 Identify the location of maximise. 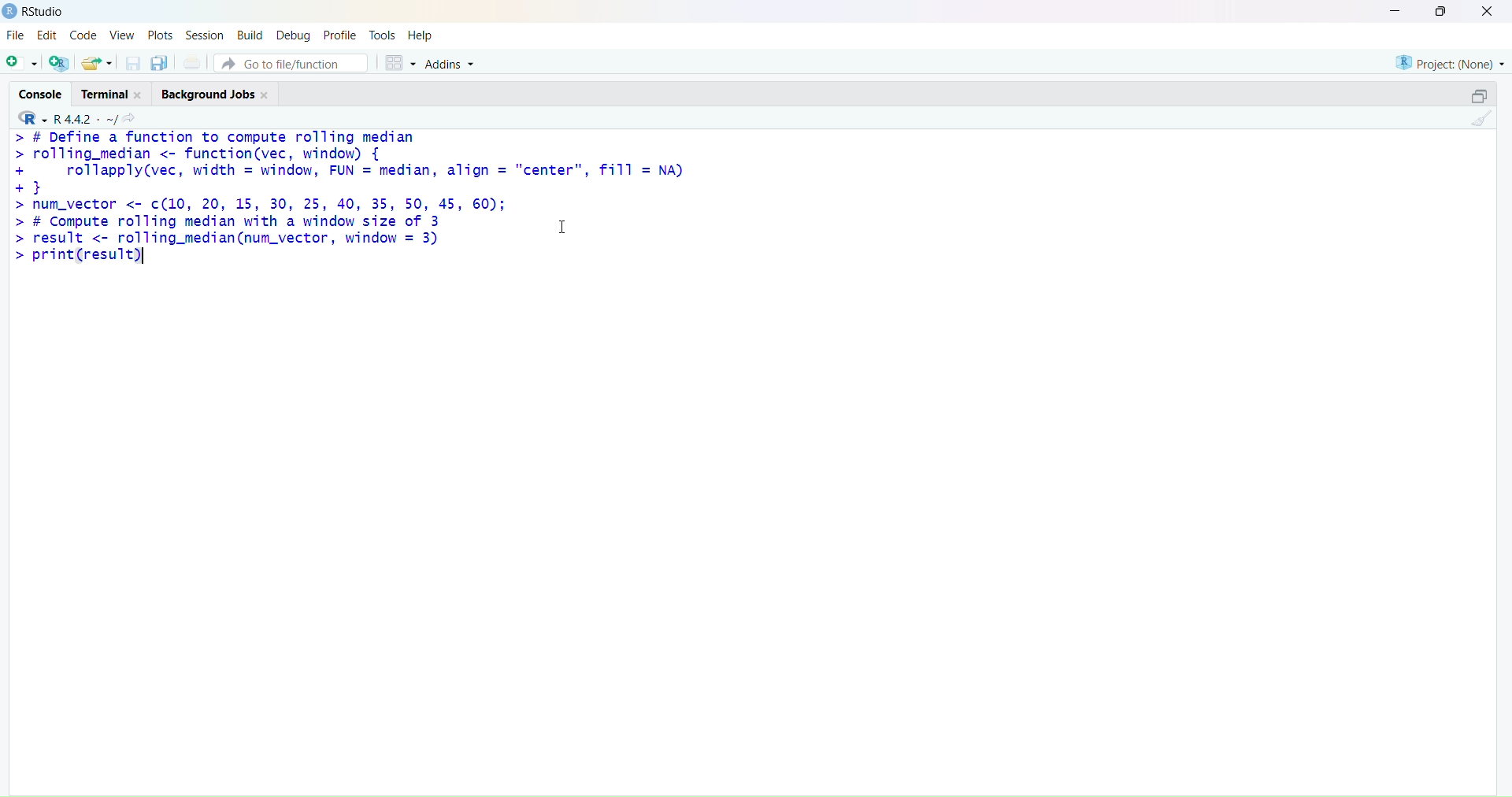
(1440, 11).